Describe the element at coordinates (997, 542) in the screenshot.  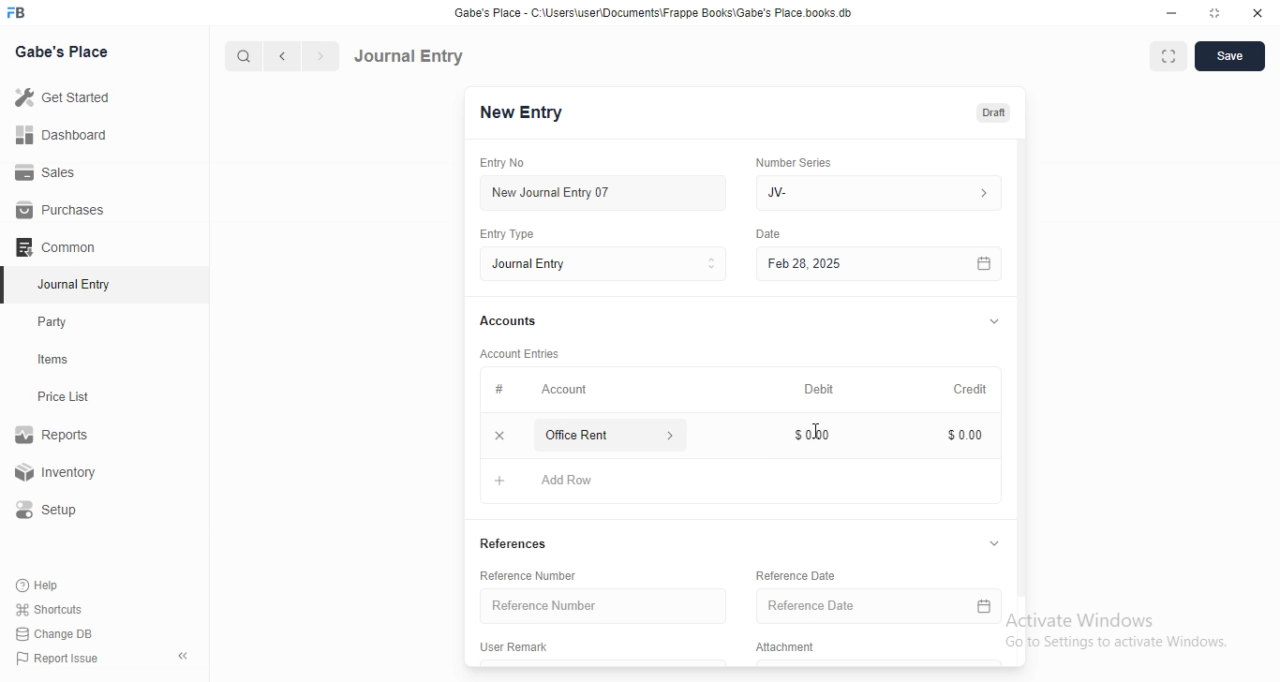
I see `v` at that location.